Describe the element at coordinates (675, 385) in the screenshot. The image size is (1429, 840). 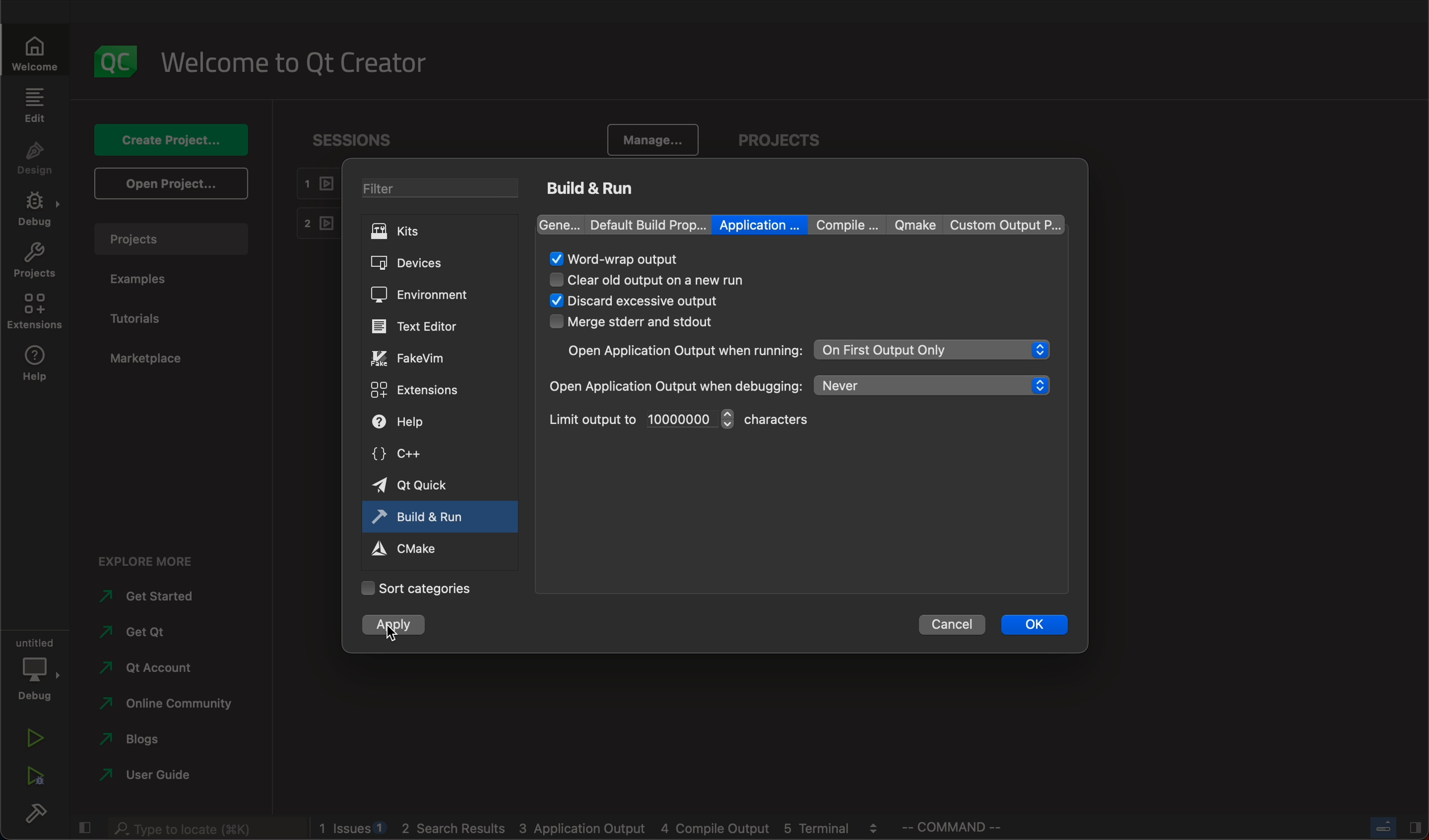
I see `open when debugging` at that location.